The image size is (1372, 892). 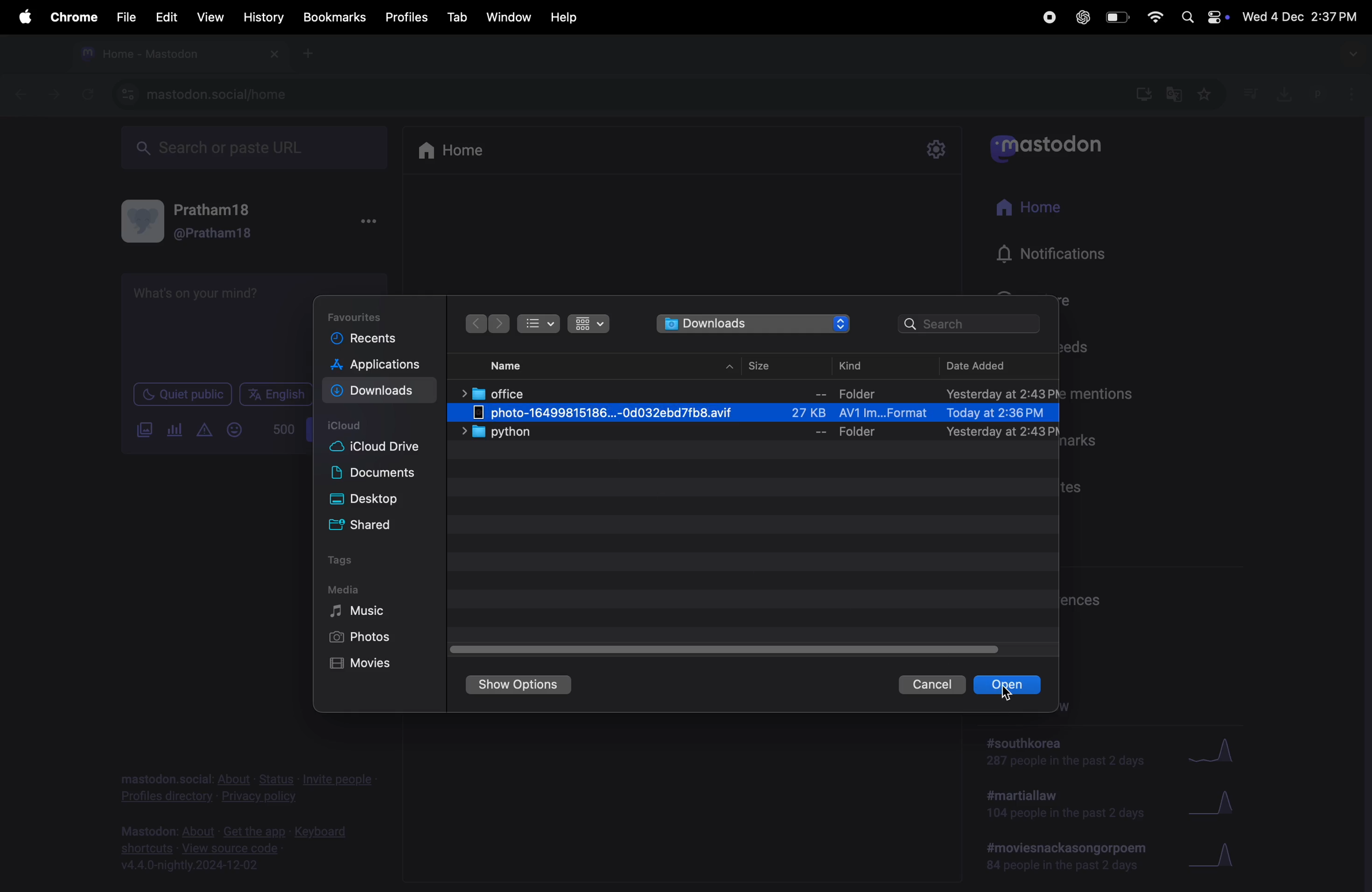 What do you see at coordinates (1048, 17) in the screenshot?
I see `record` at bounding box center [1048, 17].